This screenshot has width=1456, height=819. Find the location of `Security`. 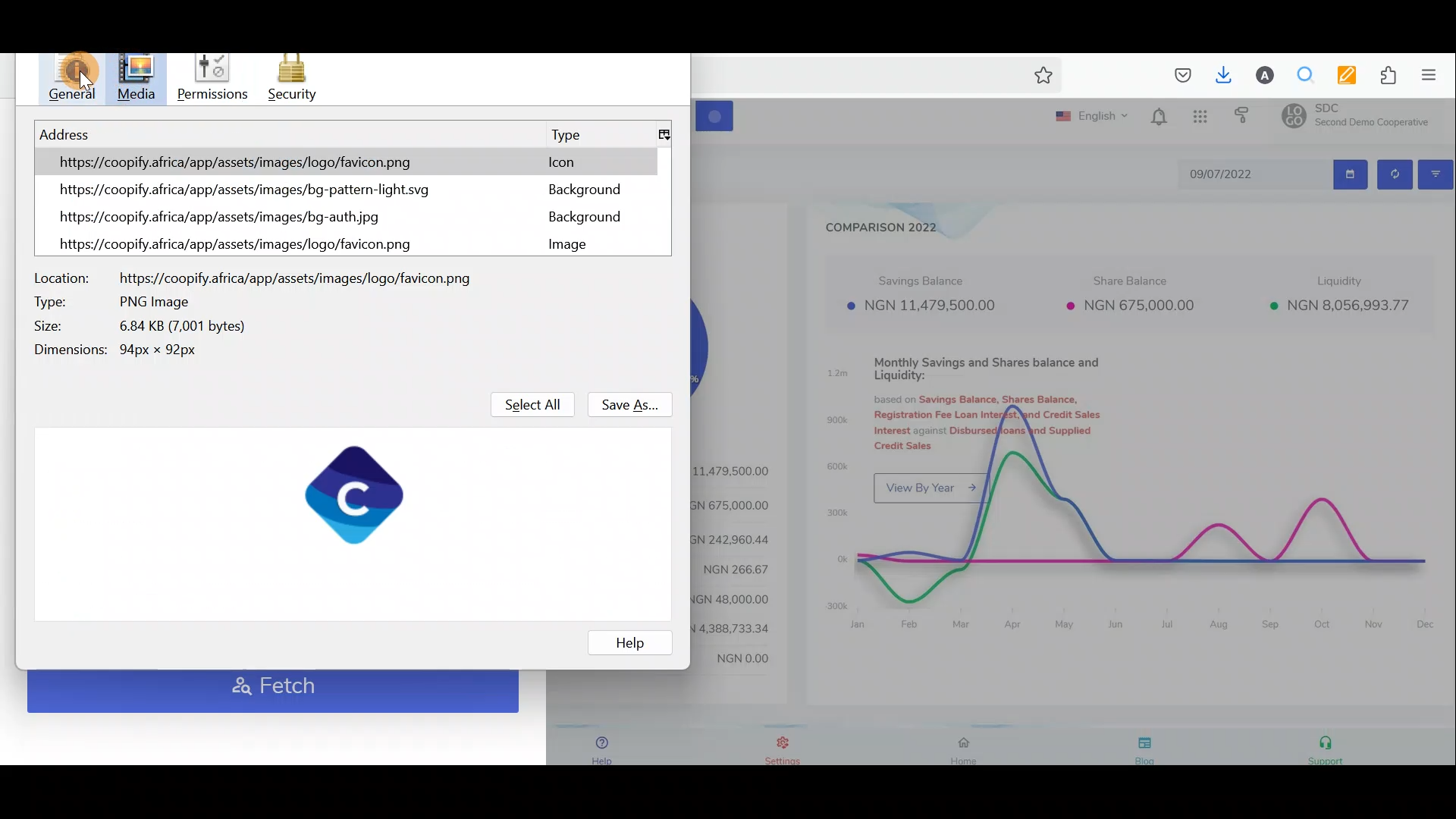

Security is located at coordinates (292, 78).